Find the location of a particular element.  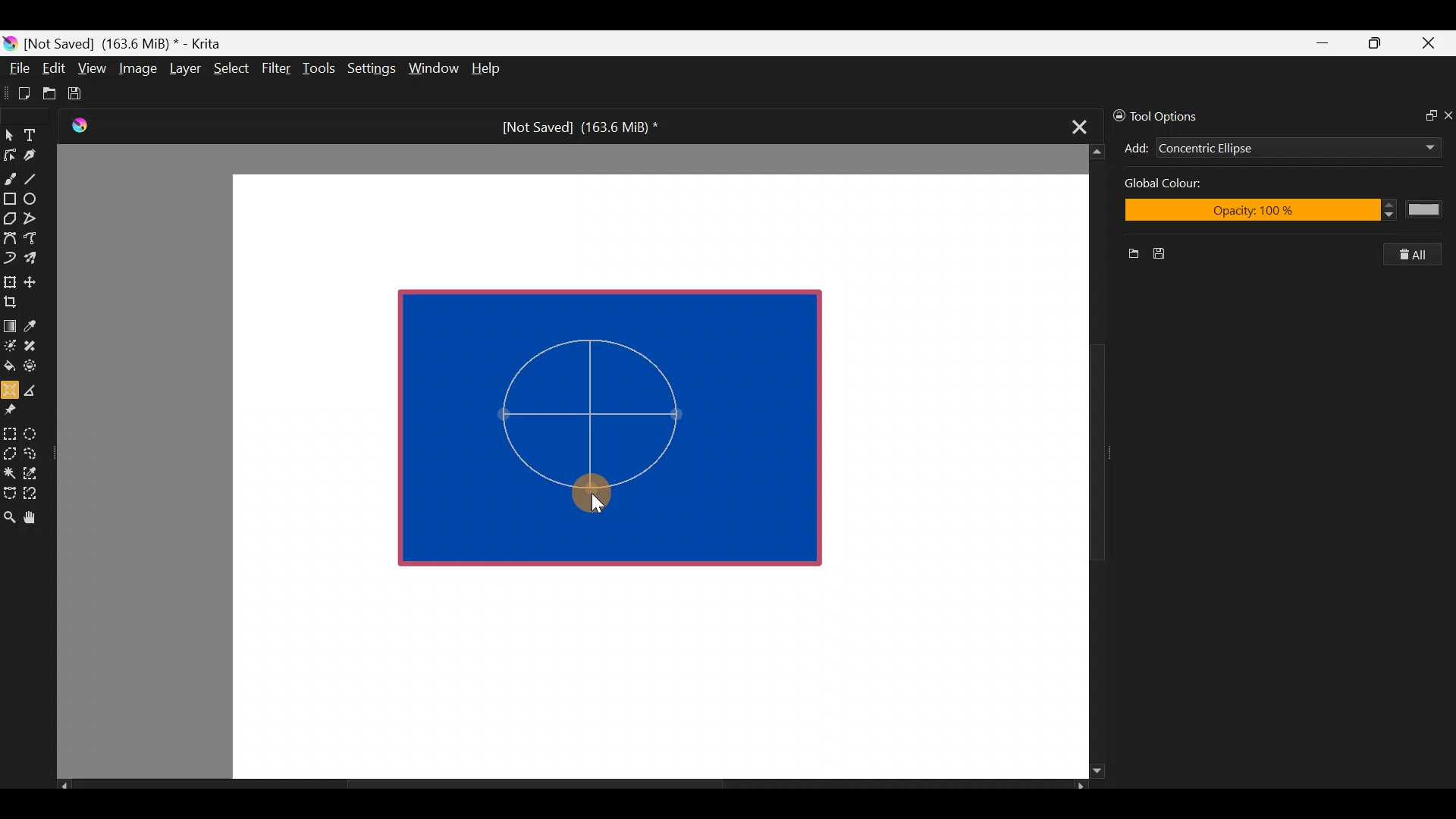

Pan tool is located at coordinates (36, 518).